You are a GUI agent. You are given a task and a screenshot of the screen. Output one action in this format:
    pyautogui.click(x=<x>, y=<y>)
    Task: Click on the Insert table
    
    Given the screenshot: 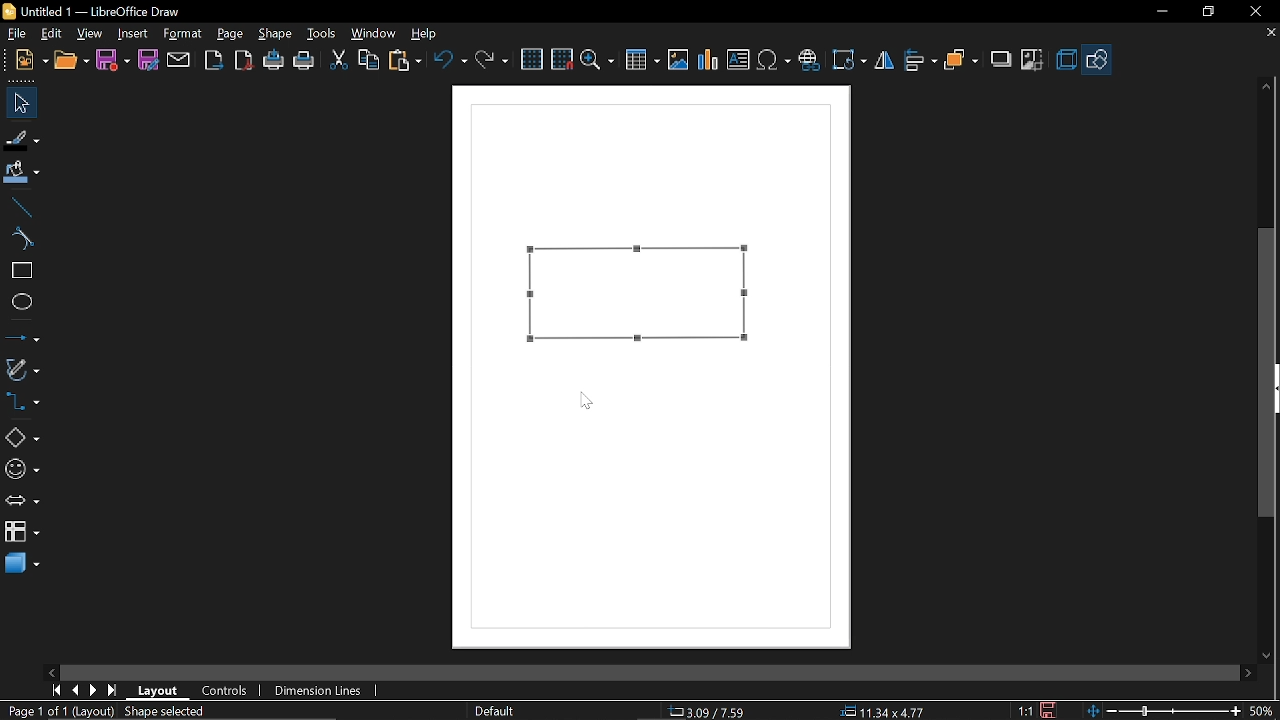 What is the action you would take?
    pyautogui.click(x=642, y=60)
    